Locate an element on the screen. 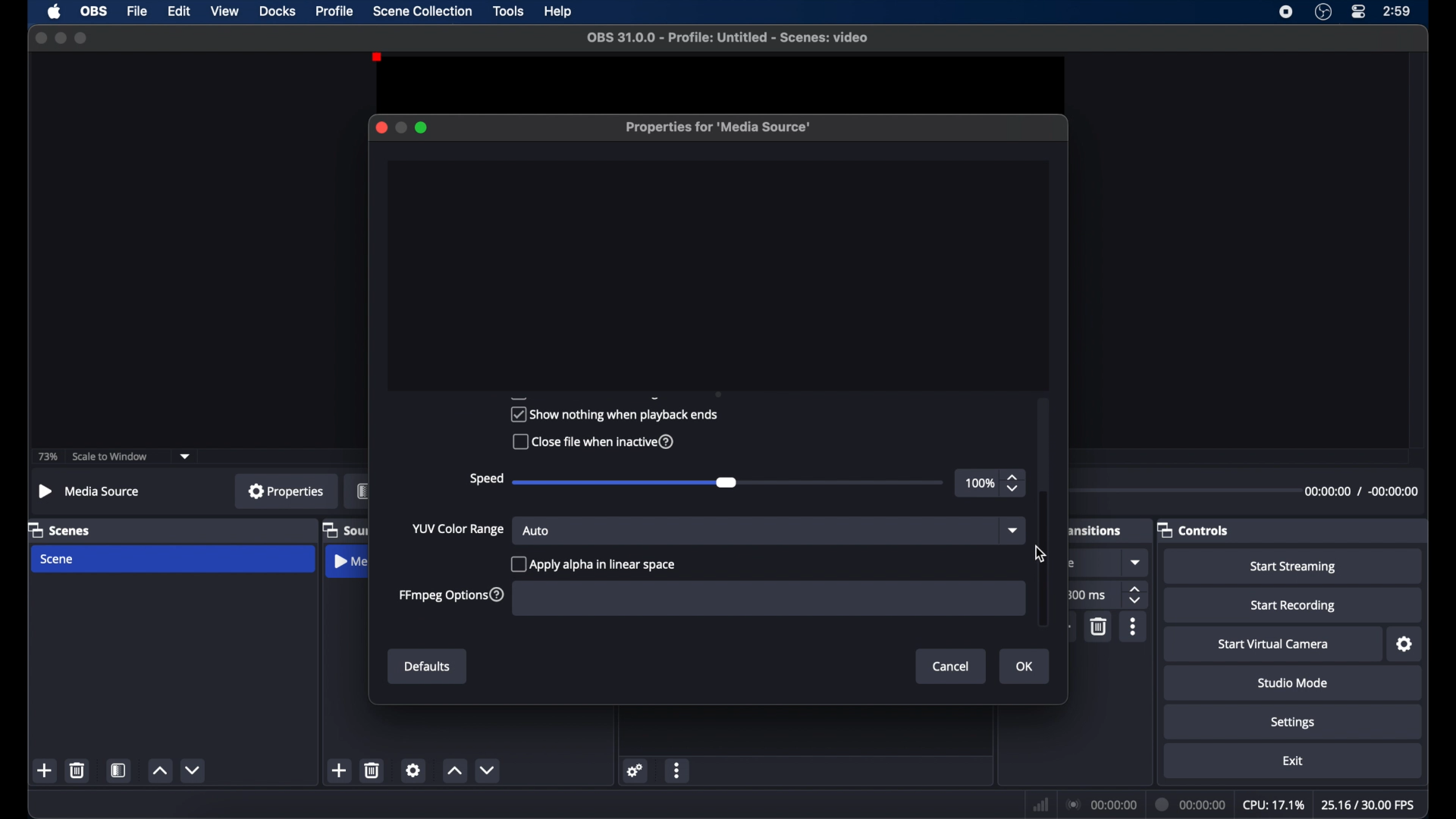  edit is located at coordinates (179, 12).